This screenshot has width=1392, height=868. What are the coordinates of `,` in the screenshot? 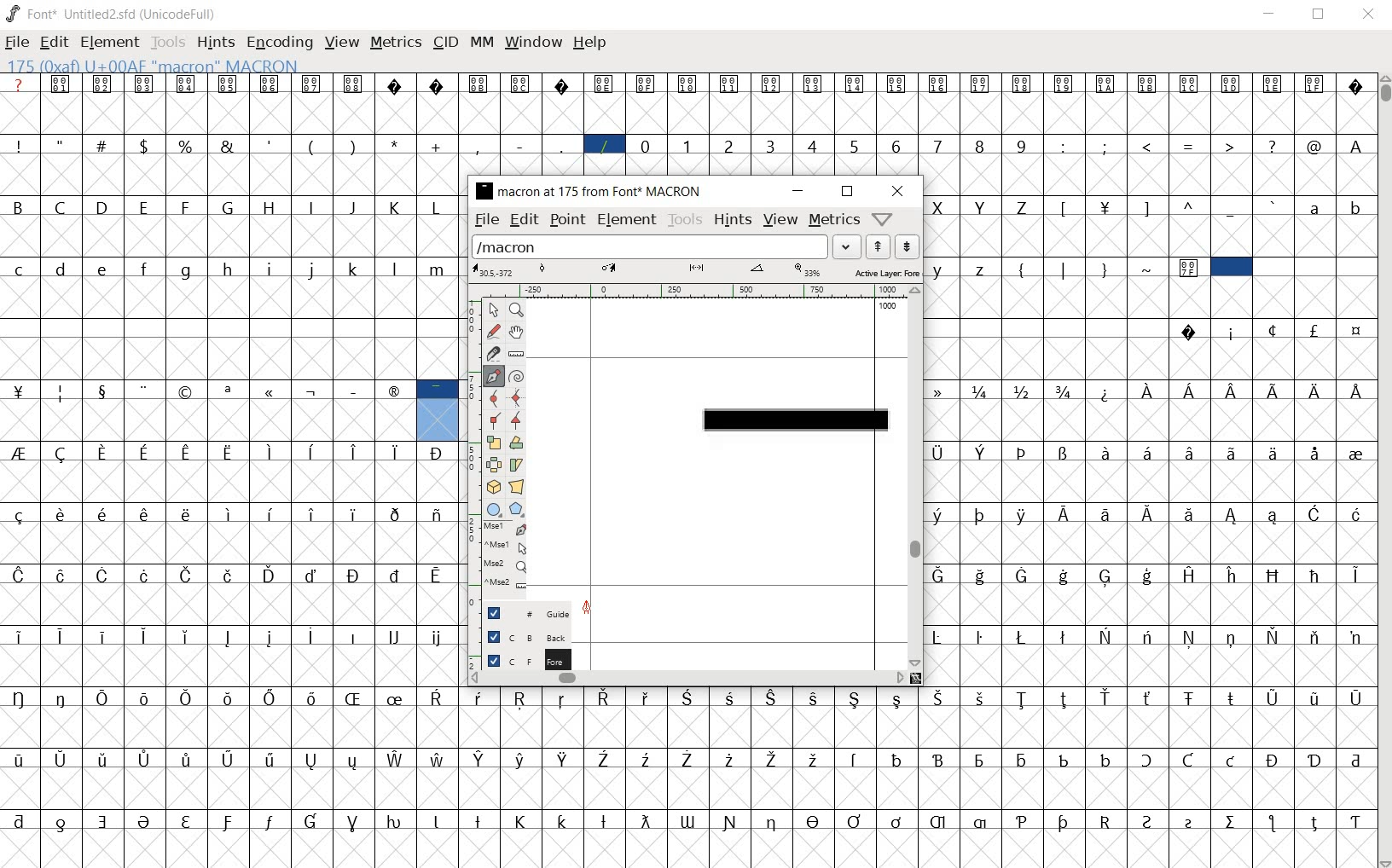 It's located at (478, 148).